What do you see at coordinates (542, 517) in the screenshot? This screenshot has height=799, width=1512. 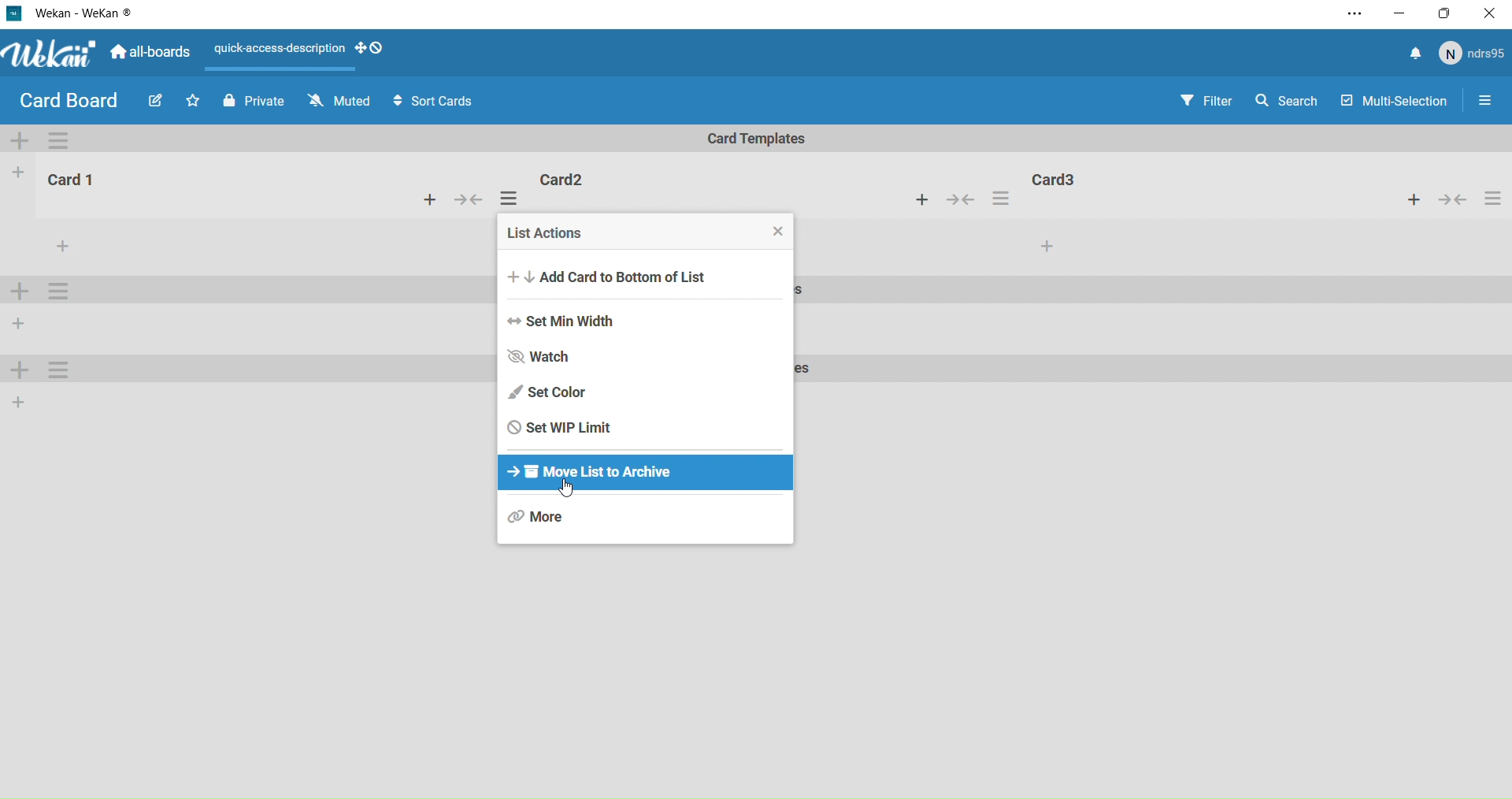 I see `more` at bounding box center [542, 517].